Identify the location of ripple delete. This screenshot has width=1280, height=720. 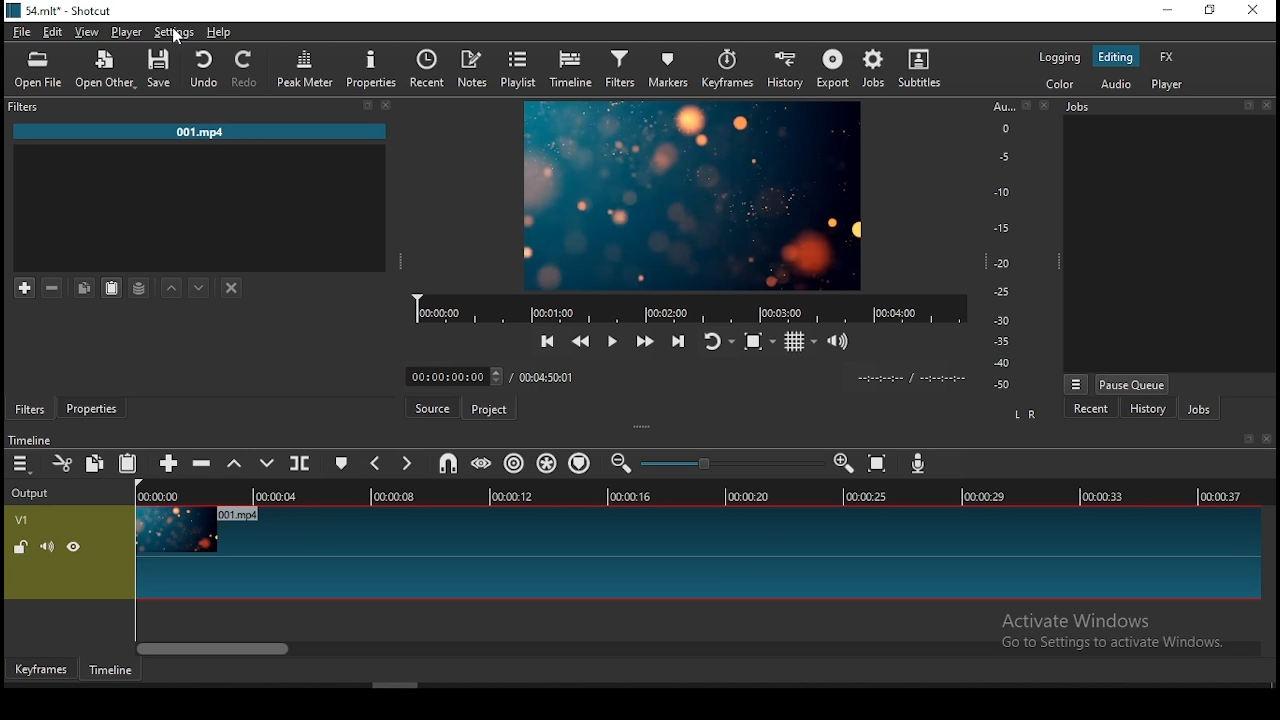
(201, 462).